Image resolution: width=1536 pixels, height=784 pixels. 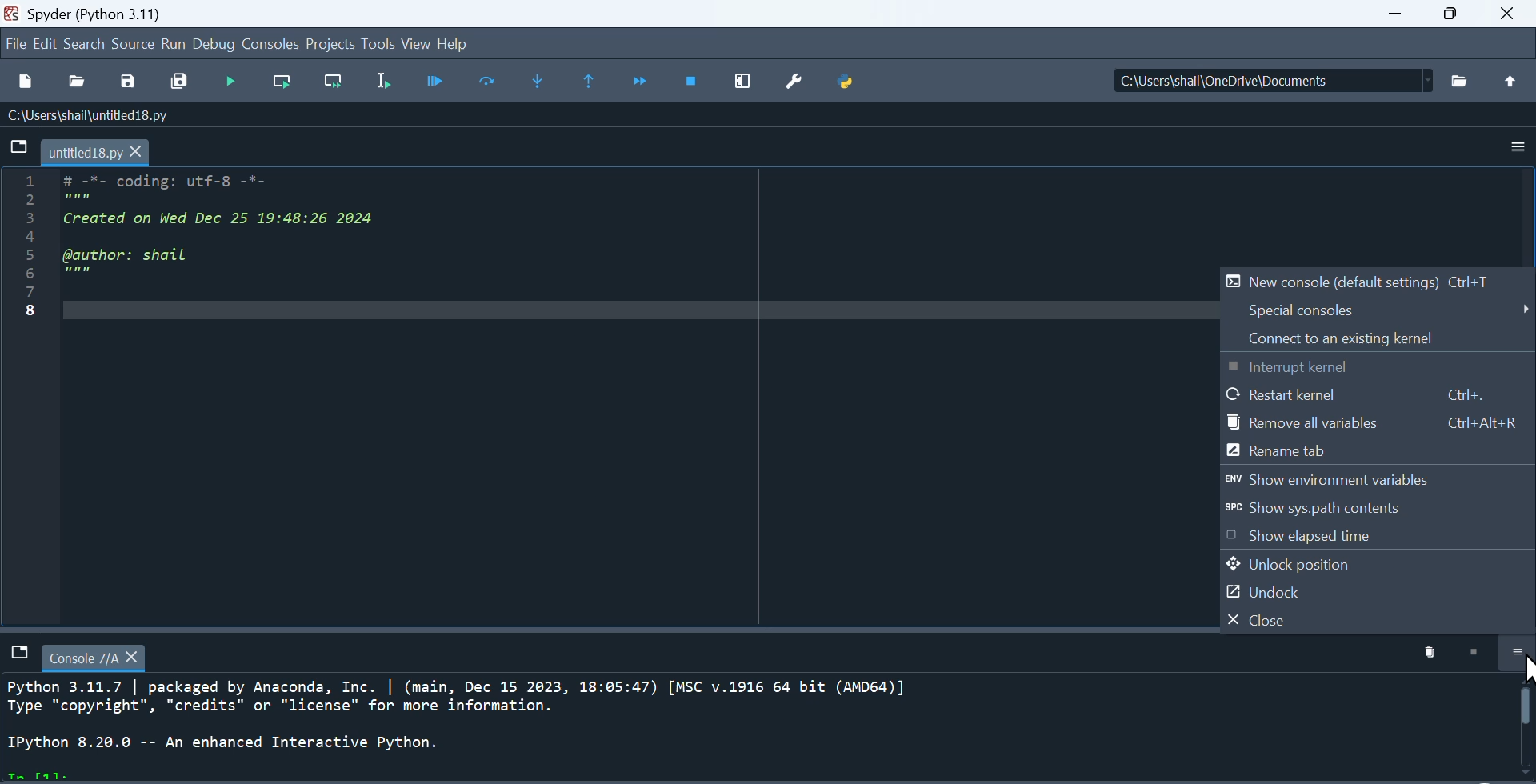 What do you see at coordinates (18, 656) in the screenshot?
I see `tab options` at bounding box center [18, 656].